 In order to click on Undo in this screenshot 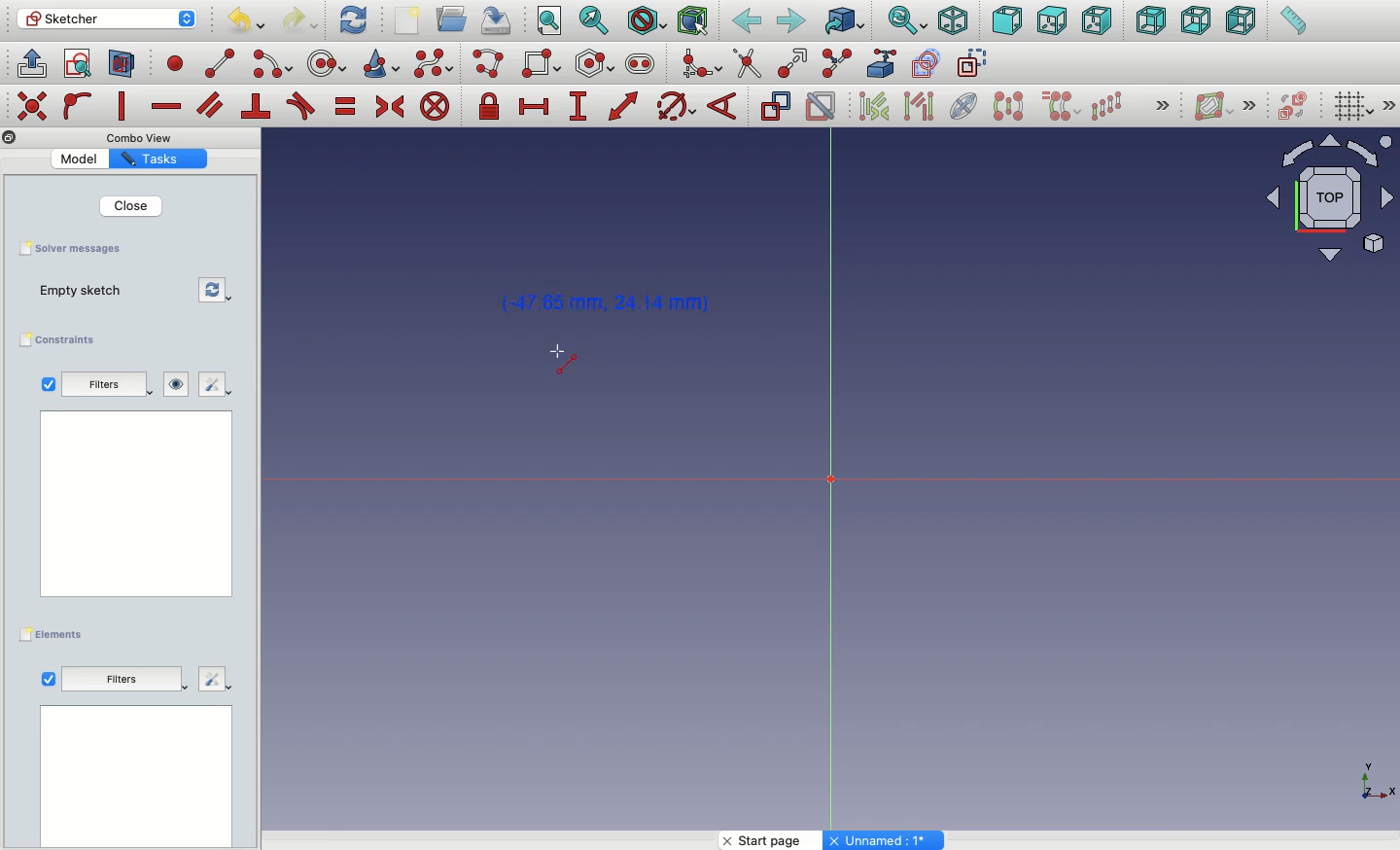, I will do `click(244, 21)`.